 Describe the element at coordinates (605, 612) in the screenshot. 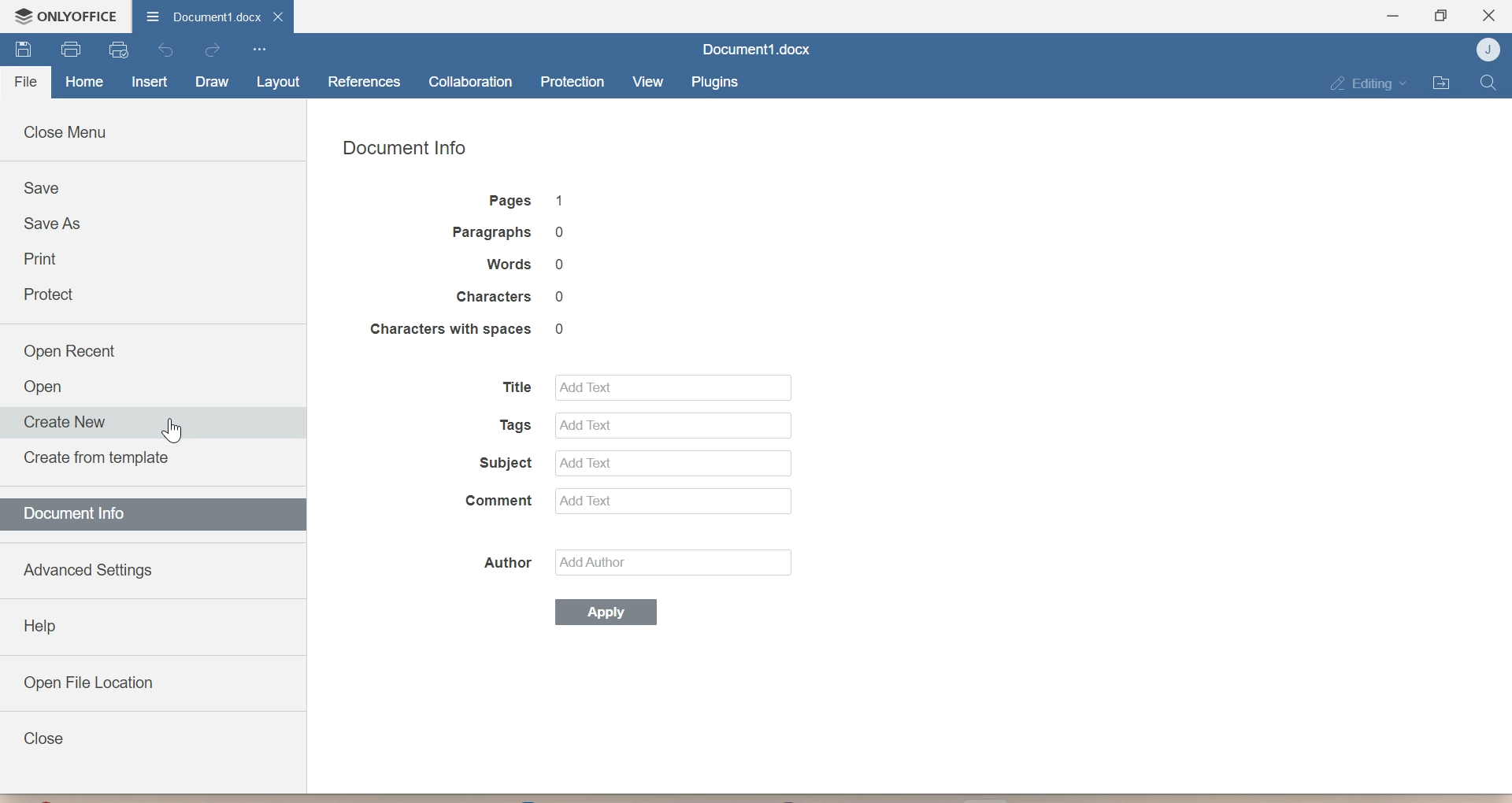

I see `Apply` at that location.